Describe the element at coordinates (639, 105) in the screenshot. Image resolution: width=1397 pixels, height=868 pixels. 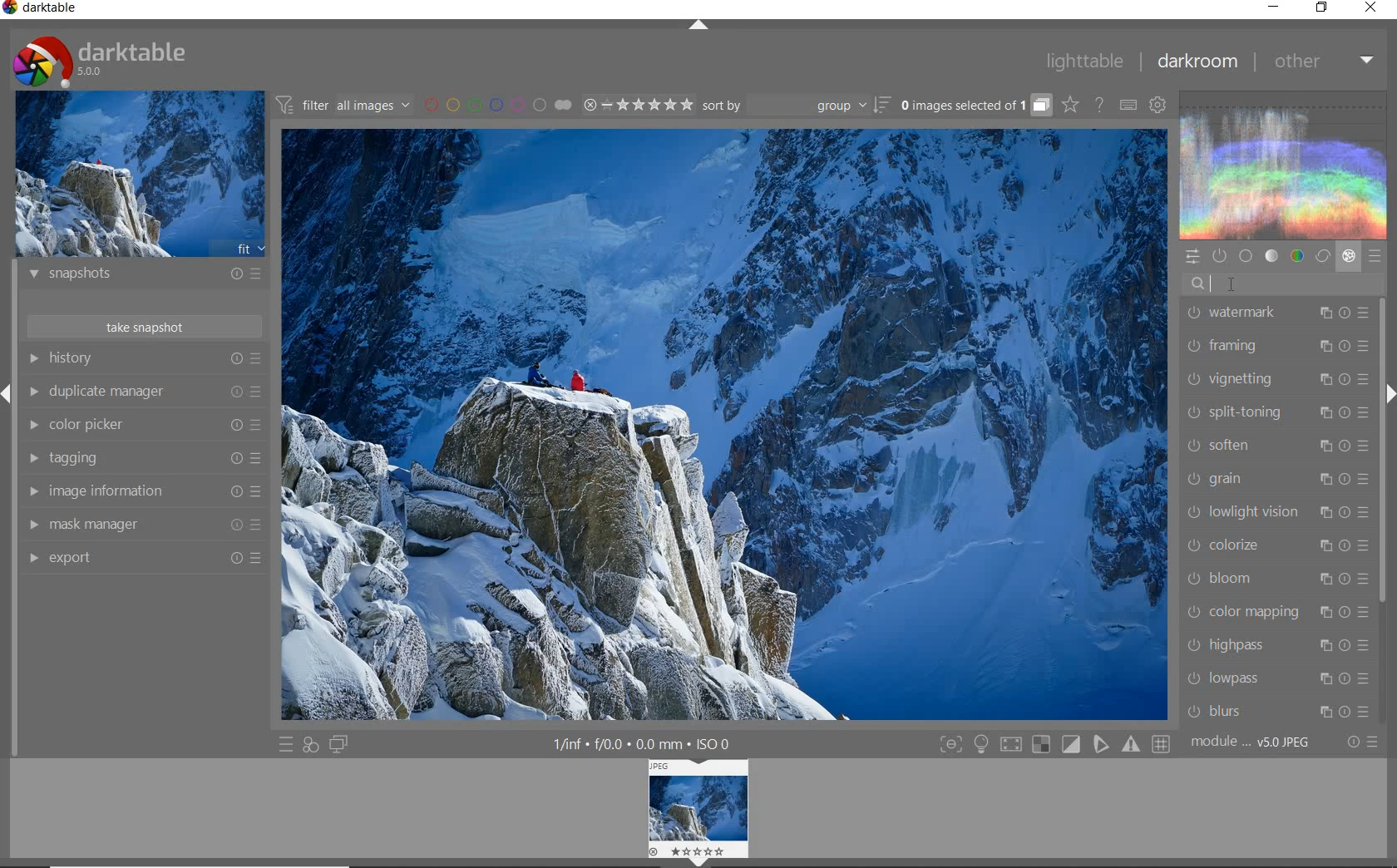
I see `range ratings for selected images` at that location.